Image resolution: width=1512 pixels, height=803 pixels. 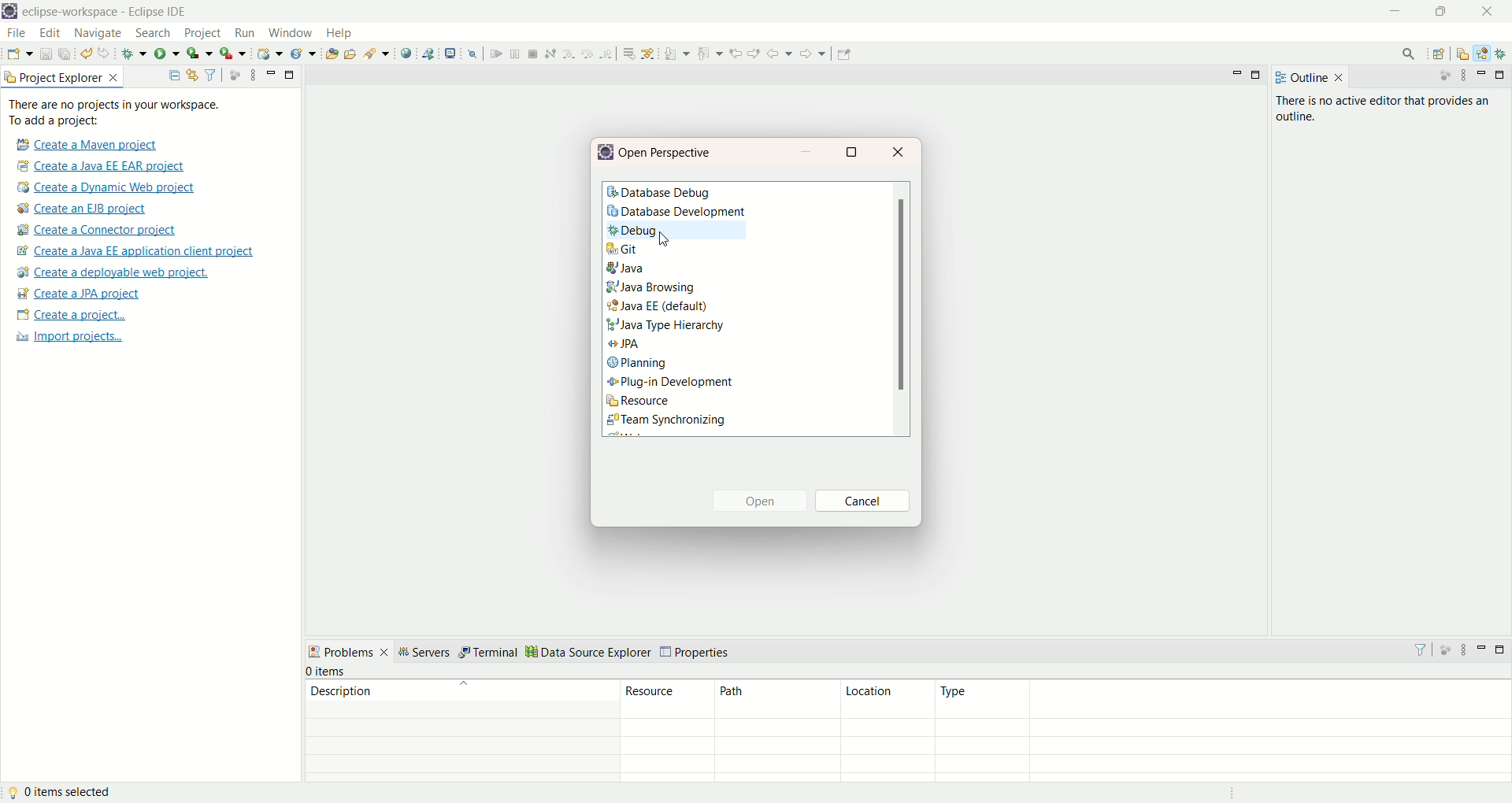 What do you see at coordinates (82, 209) in the screenshot?
I see `create an EJB project` at bounding box center [82, 209].